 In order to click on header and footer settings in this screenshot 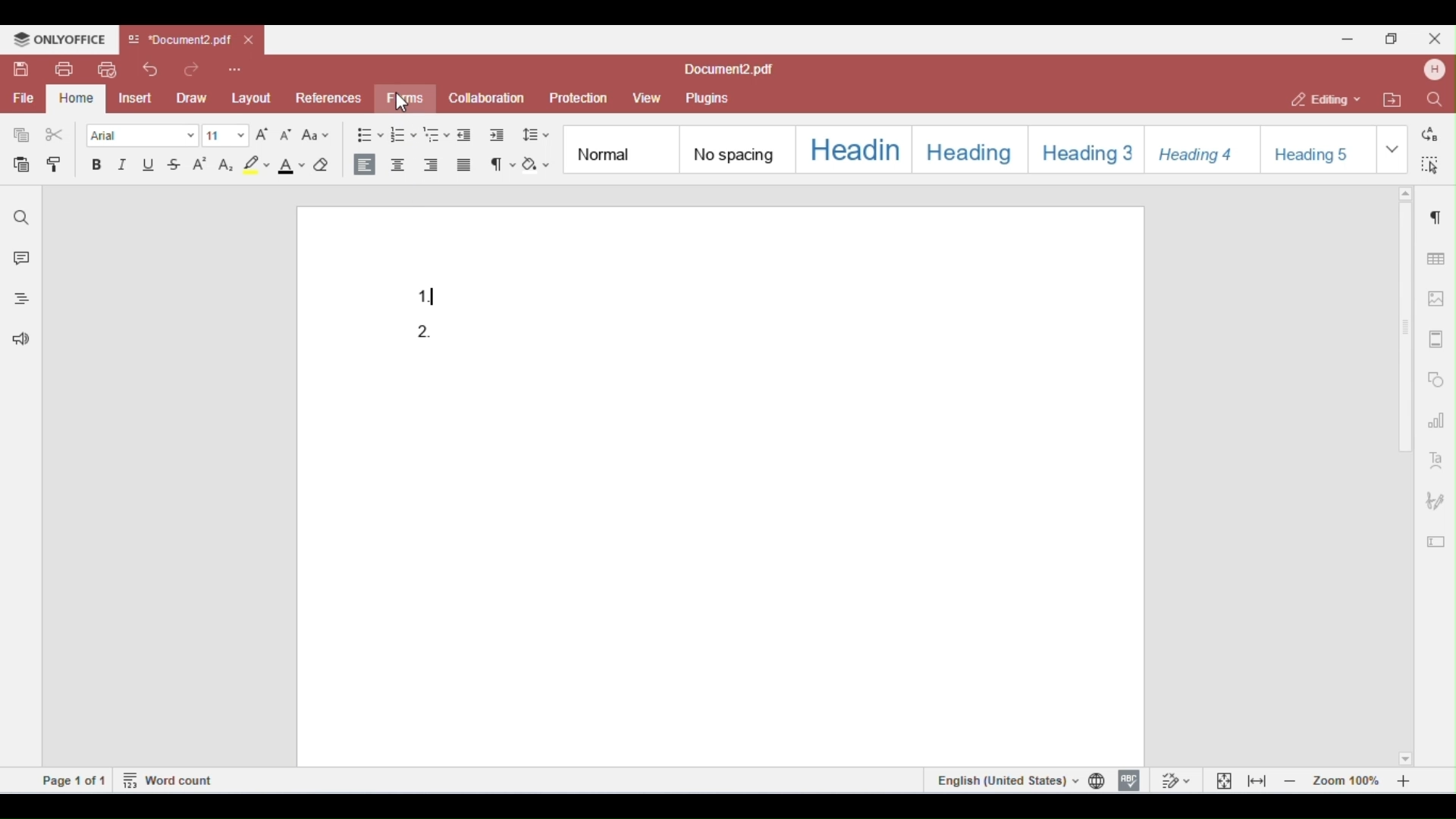, I will do `click(1435, 339)`.